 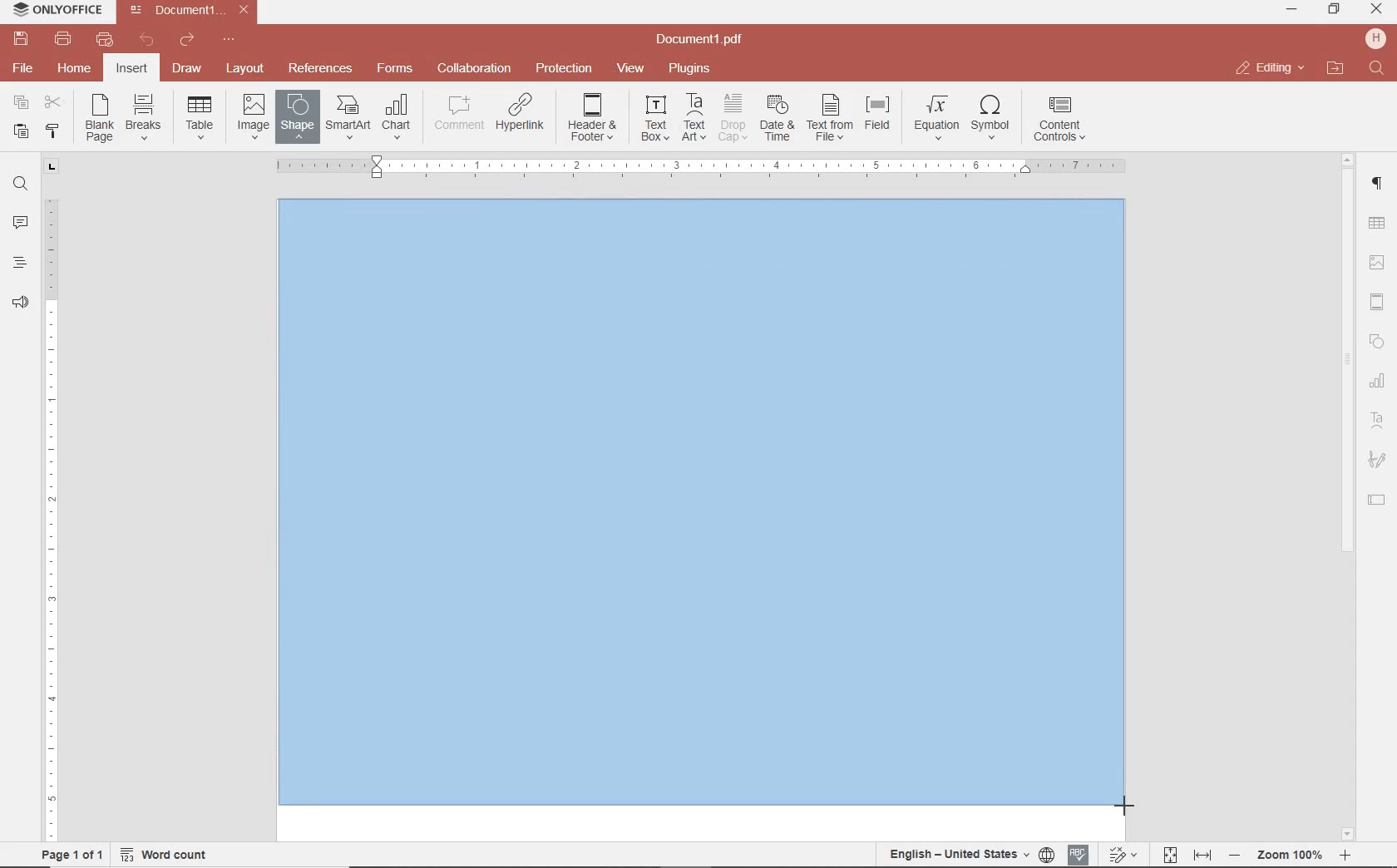 What do you see at coordinates (1345, 496) in the screenshot?
I see `scrollbar` at bounding box center [1345, 496].